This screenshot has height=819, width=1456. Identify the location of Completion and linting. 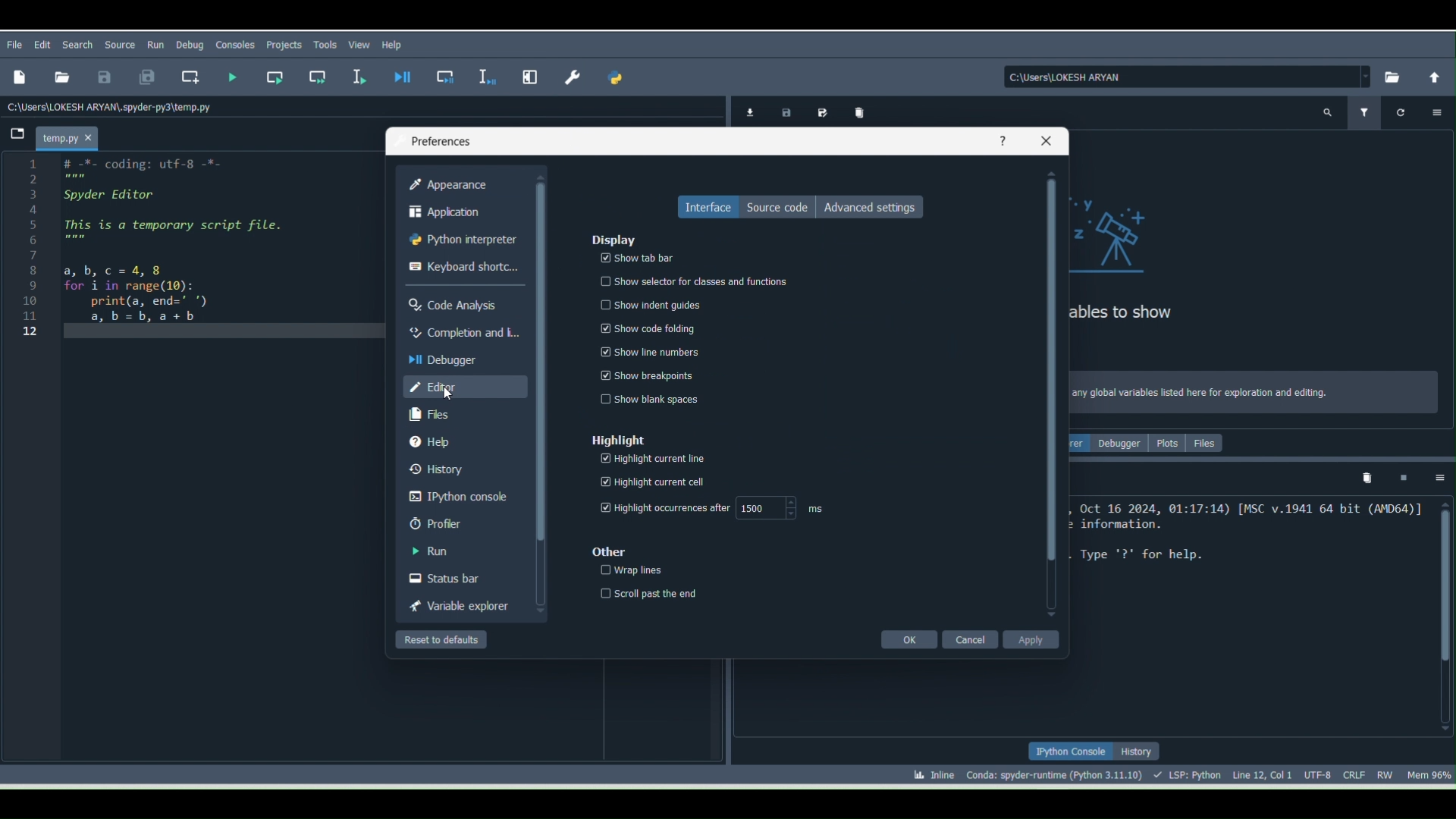
(463, 332).